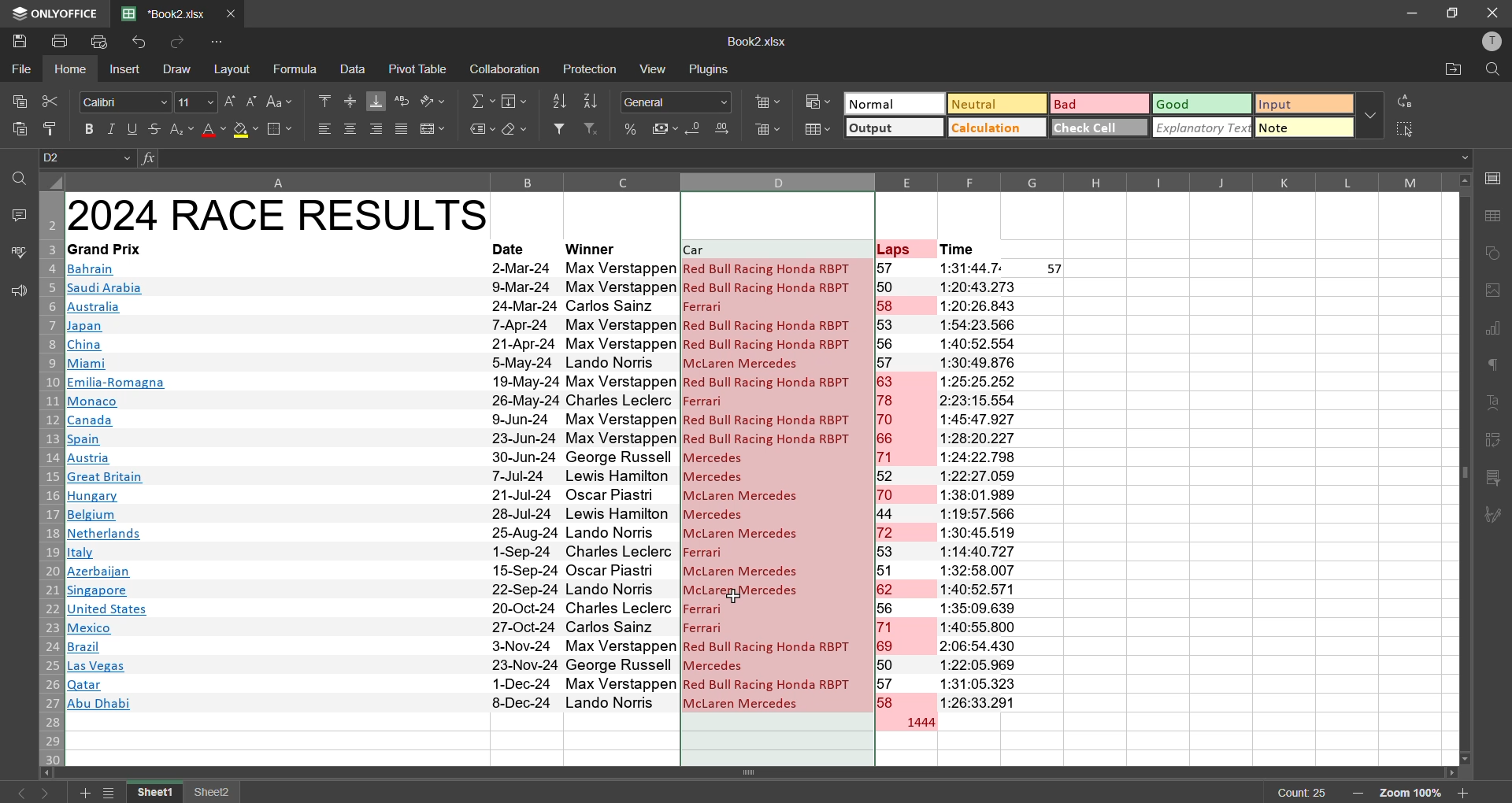  Describe the element at coordinates (1496, 216) in the screenshot. I see `table` at that location.